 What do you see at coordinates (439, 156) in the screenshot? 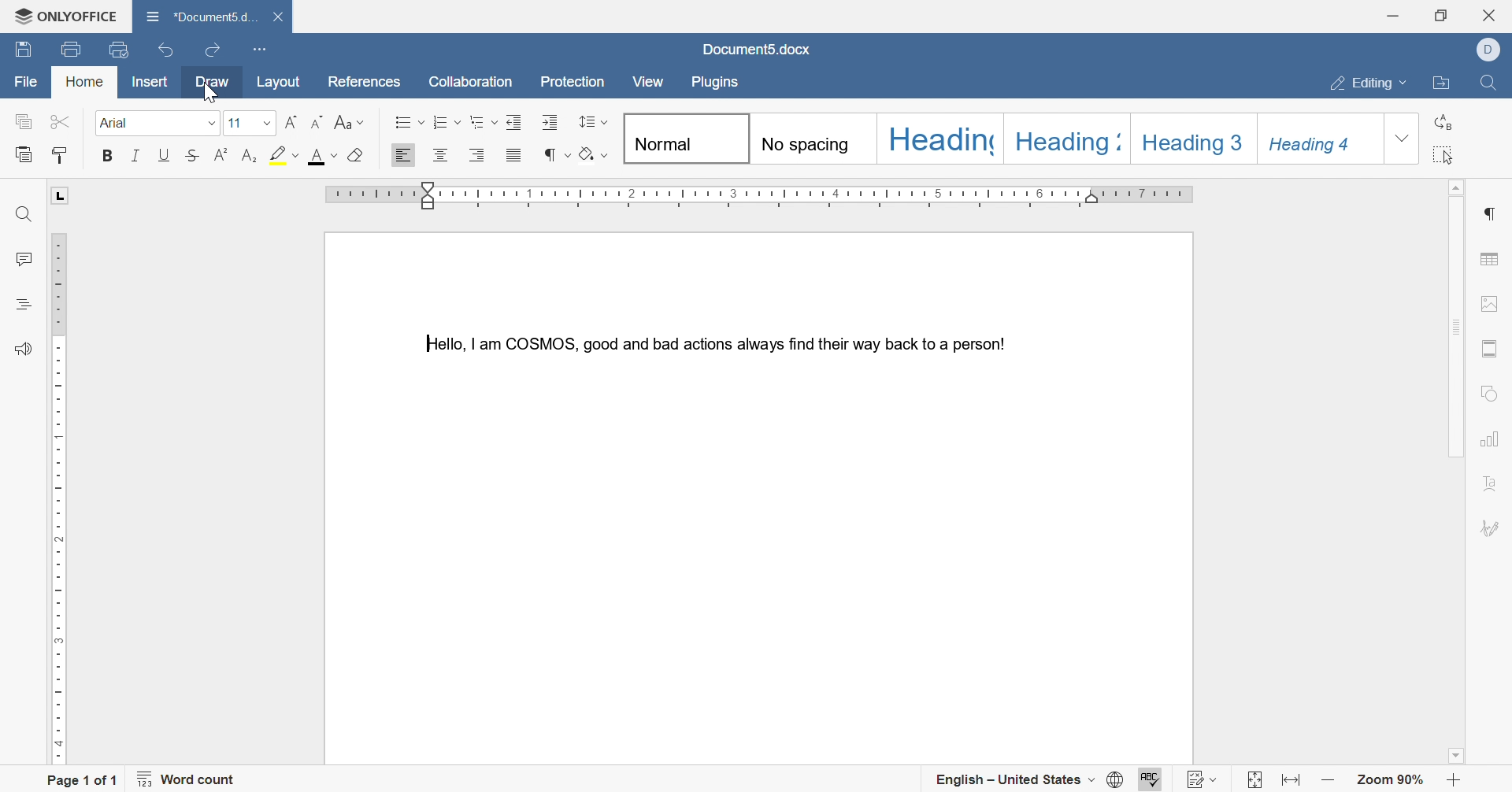
I see `align center` at bounding box center [439, 156].